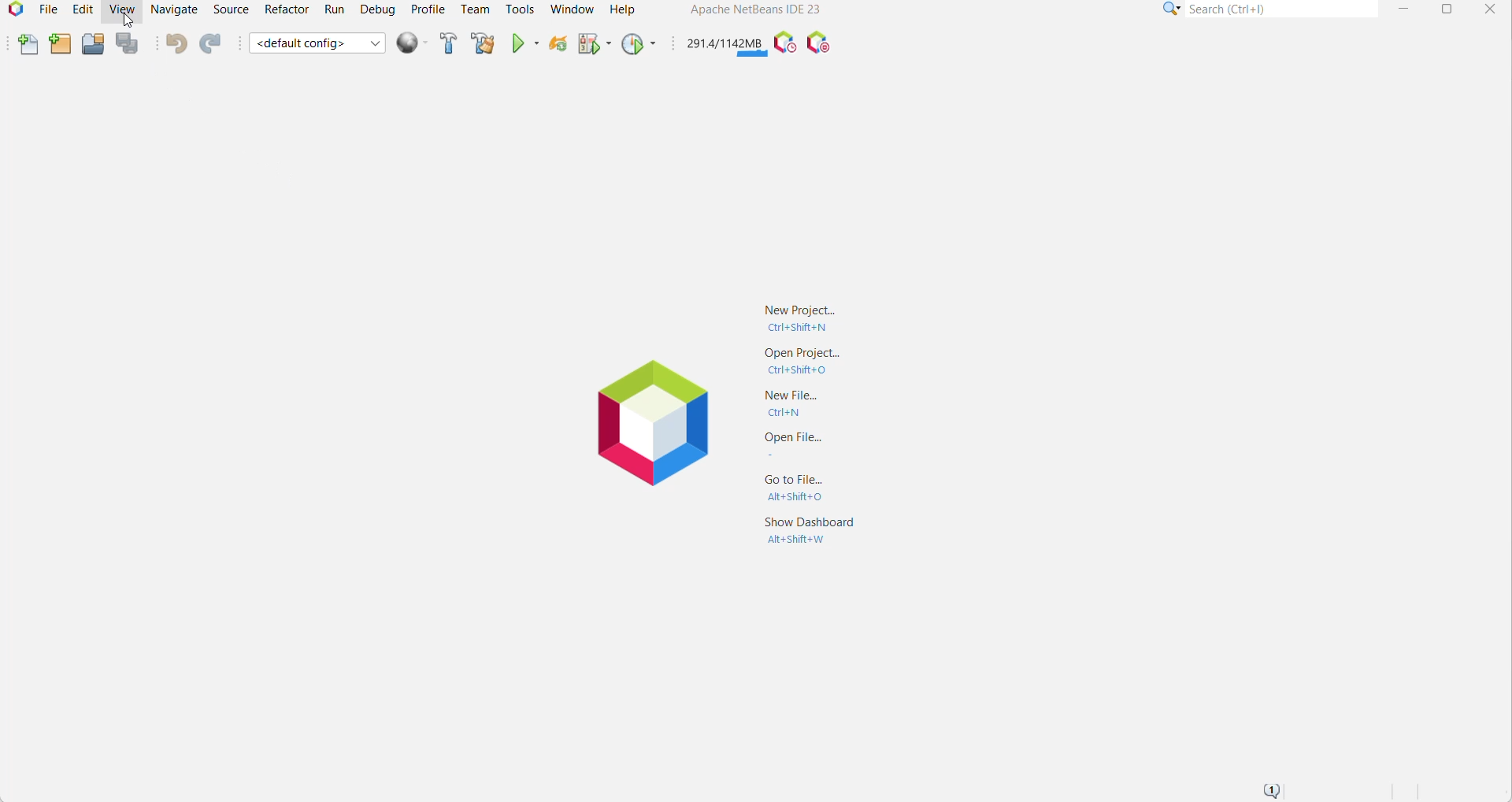  I want to click on Open Project, so click(92, 45).